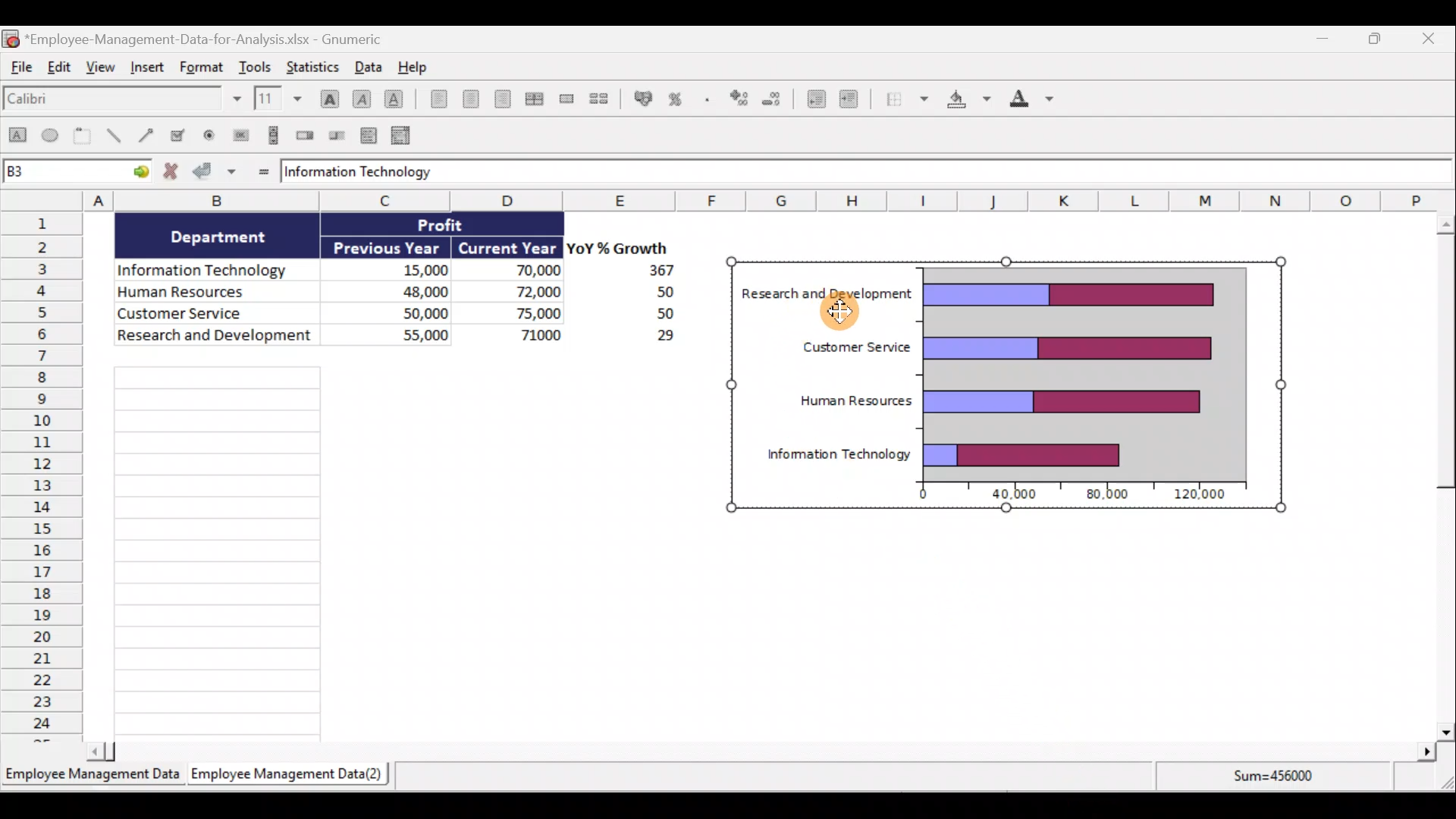  Describe the element at coordinates (51, 134) in the screenshot. I see `Create an ellipse object` at that location.